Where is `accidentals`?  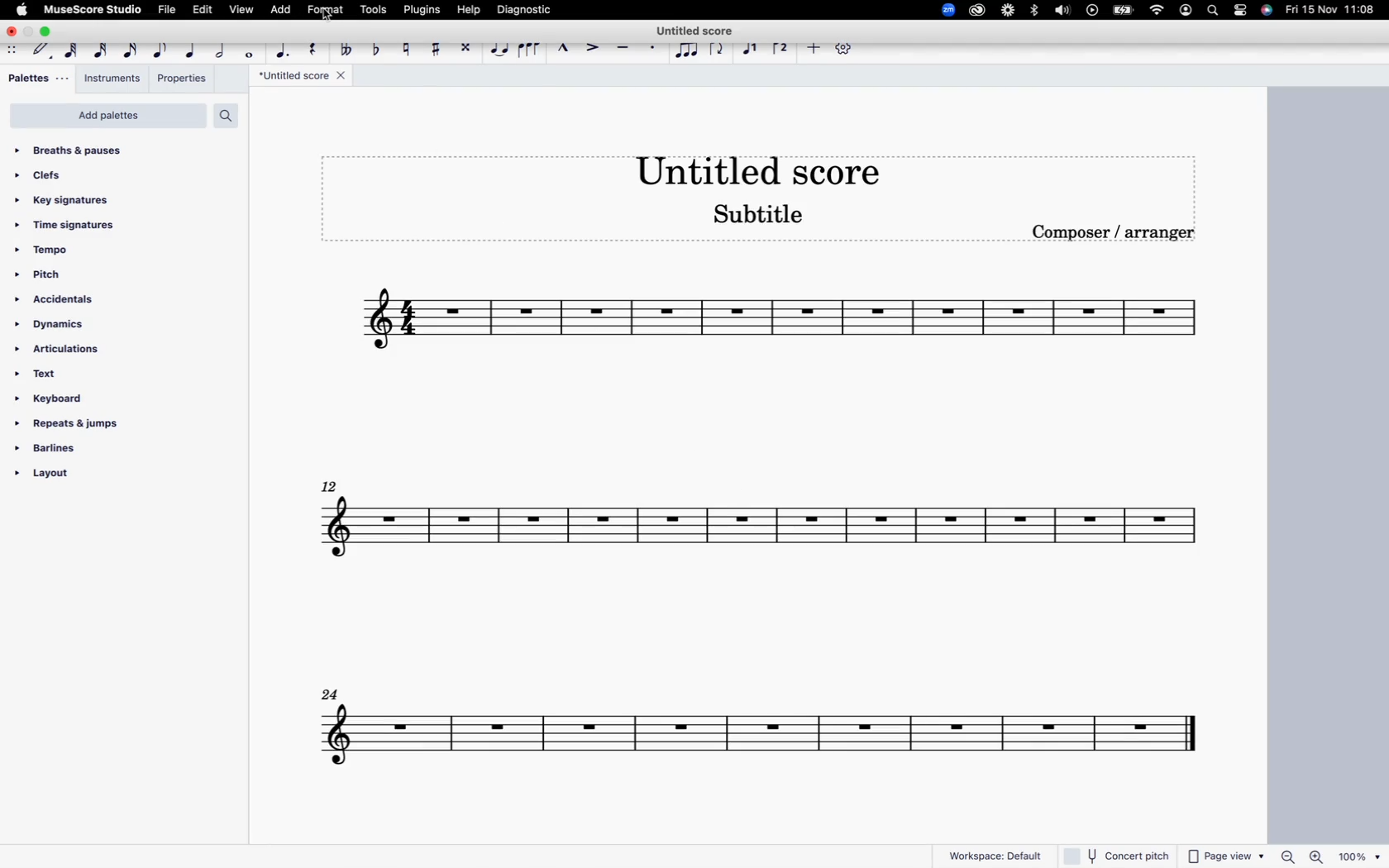 accidentals is located at coordinates (55, 300).